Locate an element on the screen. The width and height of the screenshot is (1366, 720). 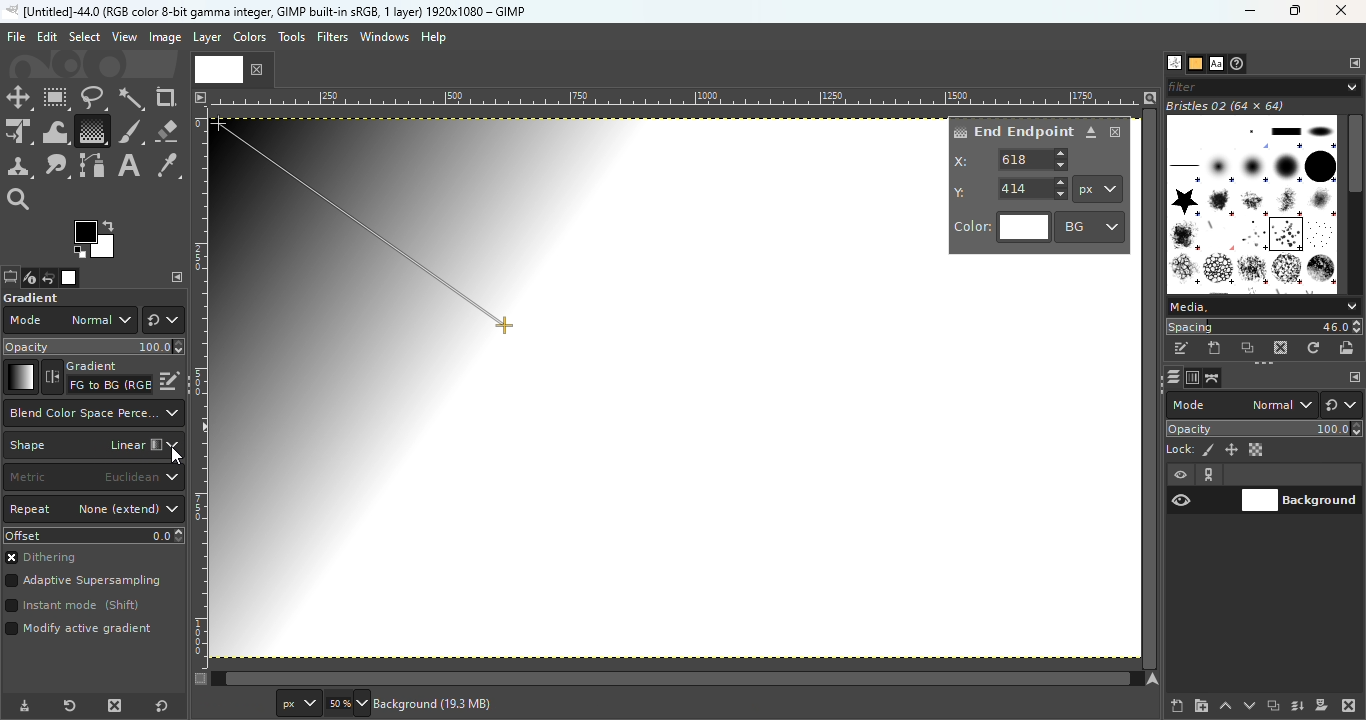
Filters is located at coordinates (333, 37).